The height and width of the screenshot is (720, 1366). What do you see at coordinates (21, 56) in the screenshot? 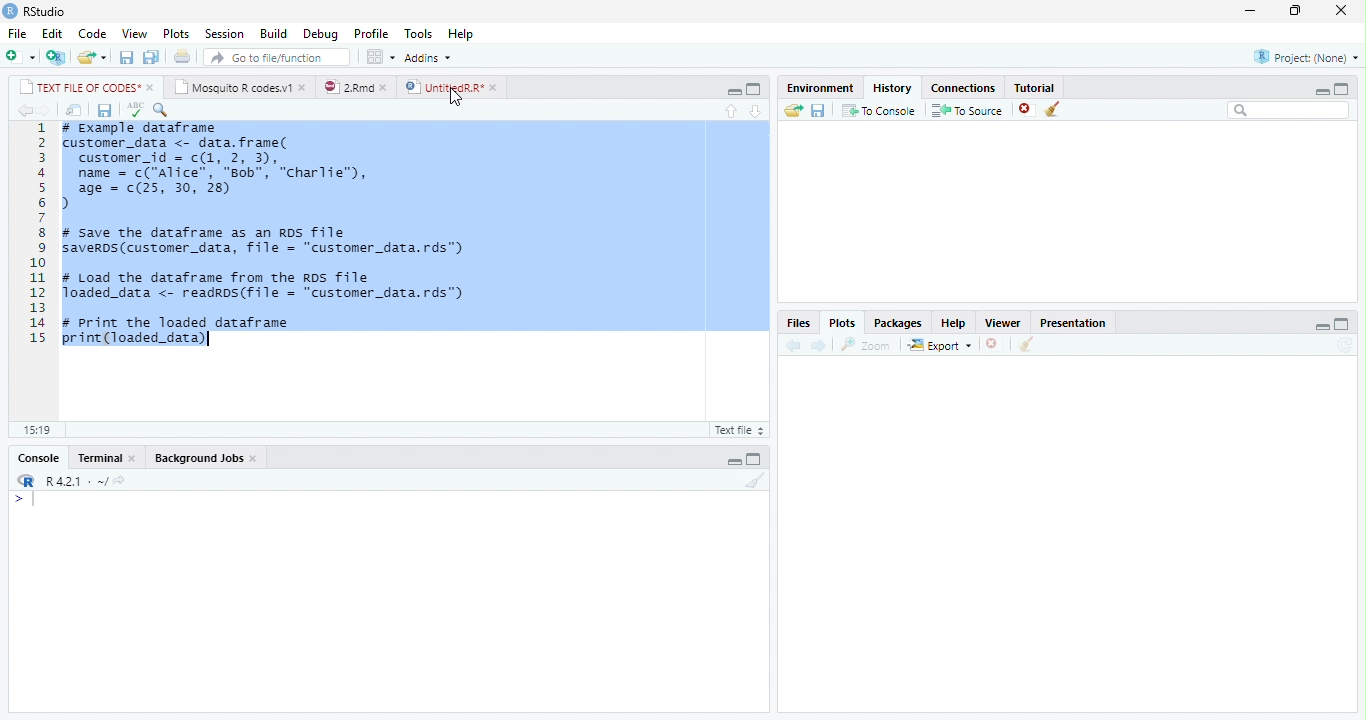
I see `new file` at bounding box center [21, 56].